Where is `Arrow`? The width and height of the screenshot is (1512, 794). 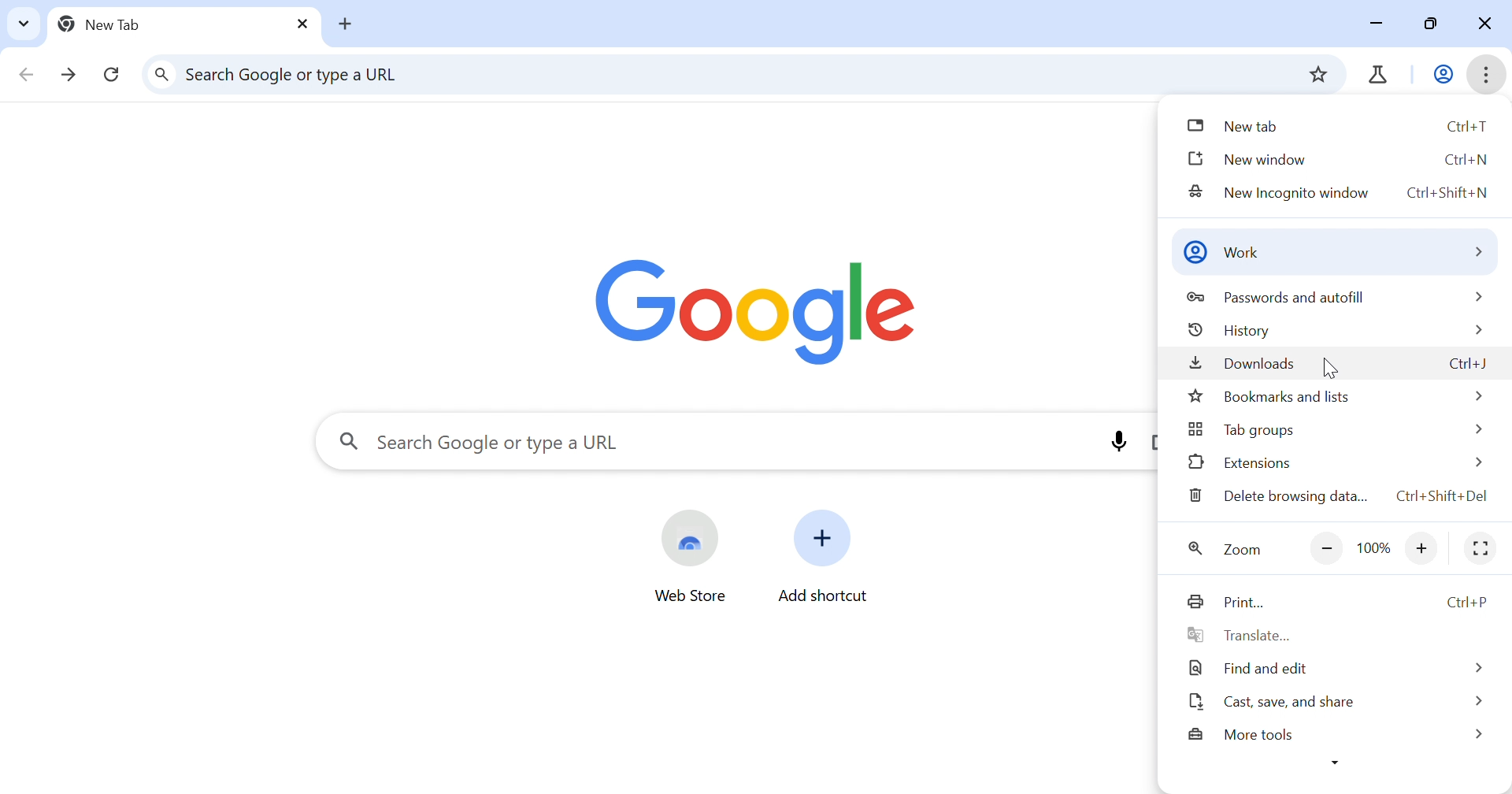 Arrow is located at coordinates (1480, 735).